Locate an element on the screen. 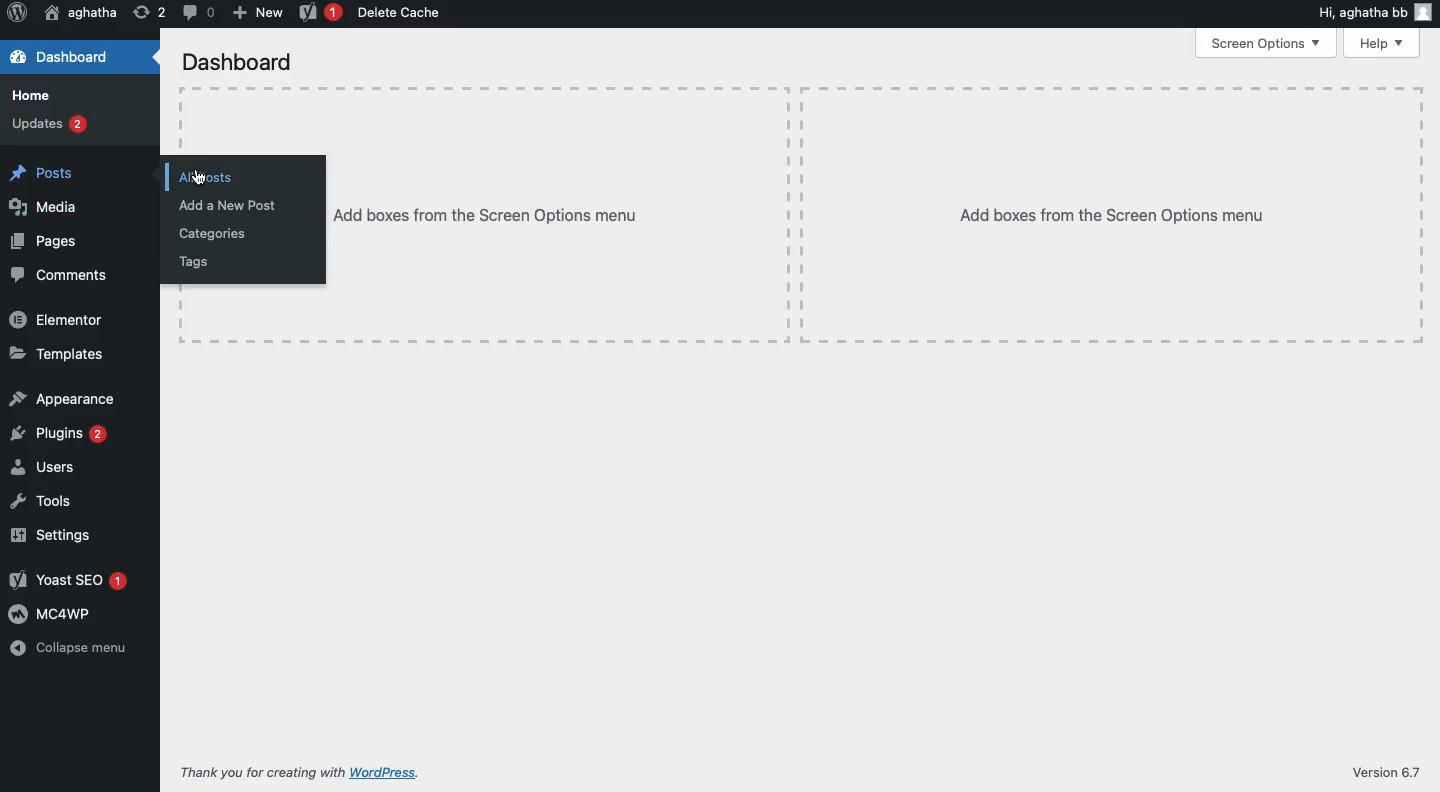  Help is located at coordinates (1379, 42).